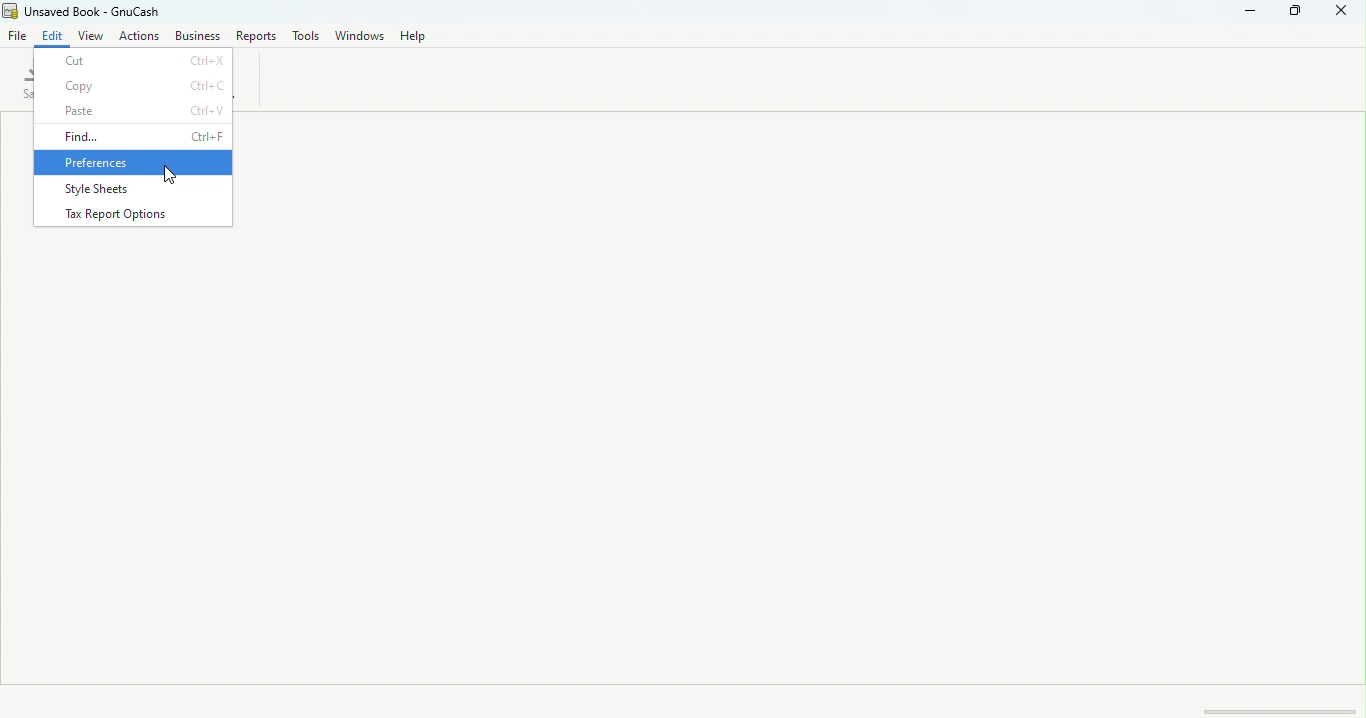 Image resolution: width=1366 pixels, height=718 pixels. What do you see at coordinates (132, 161) in the screenshot?
I see `Preferences` at bounding box center [132, 161].